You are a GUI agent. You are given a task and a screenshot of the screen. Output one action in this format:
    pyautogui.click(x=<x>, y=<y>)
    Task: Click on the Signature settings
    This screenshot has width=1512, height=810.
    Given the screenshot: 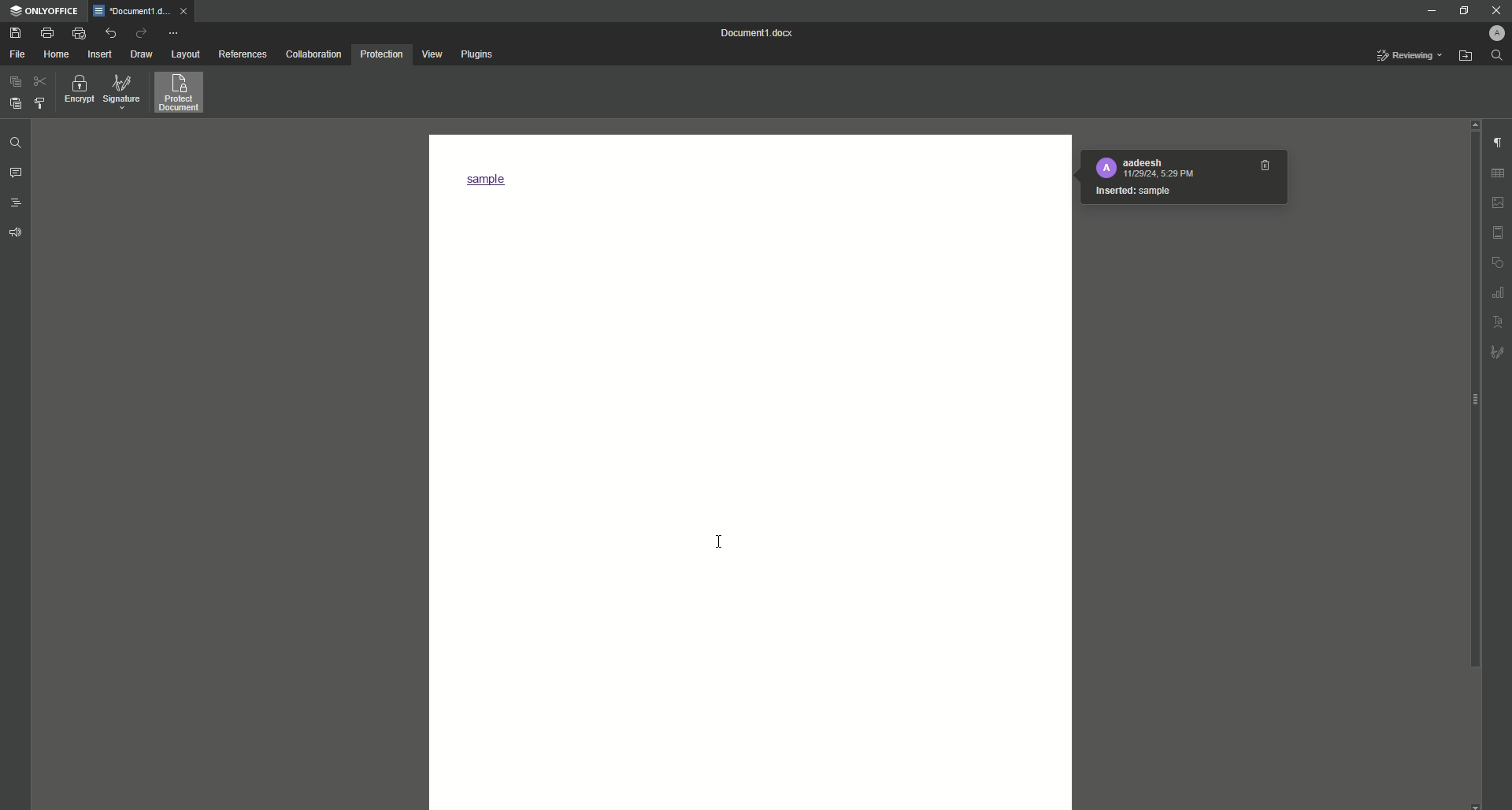 What is the action you would take?
    pyautogui.click(x=1499, y=354)
    